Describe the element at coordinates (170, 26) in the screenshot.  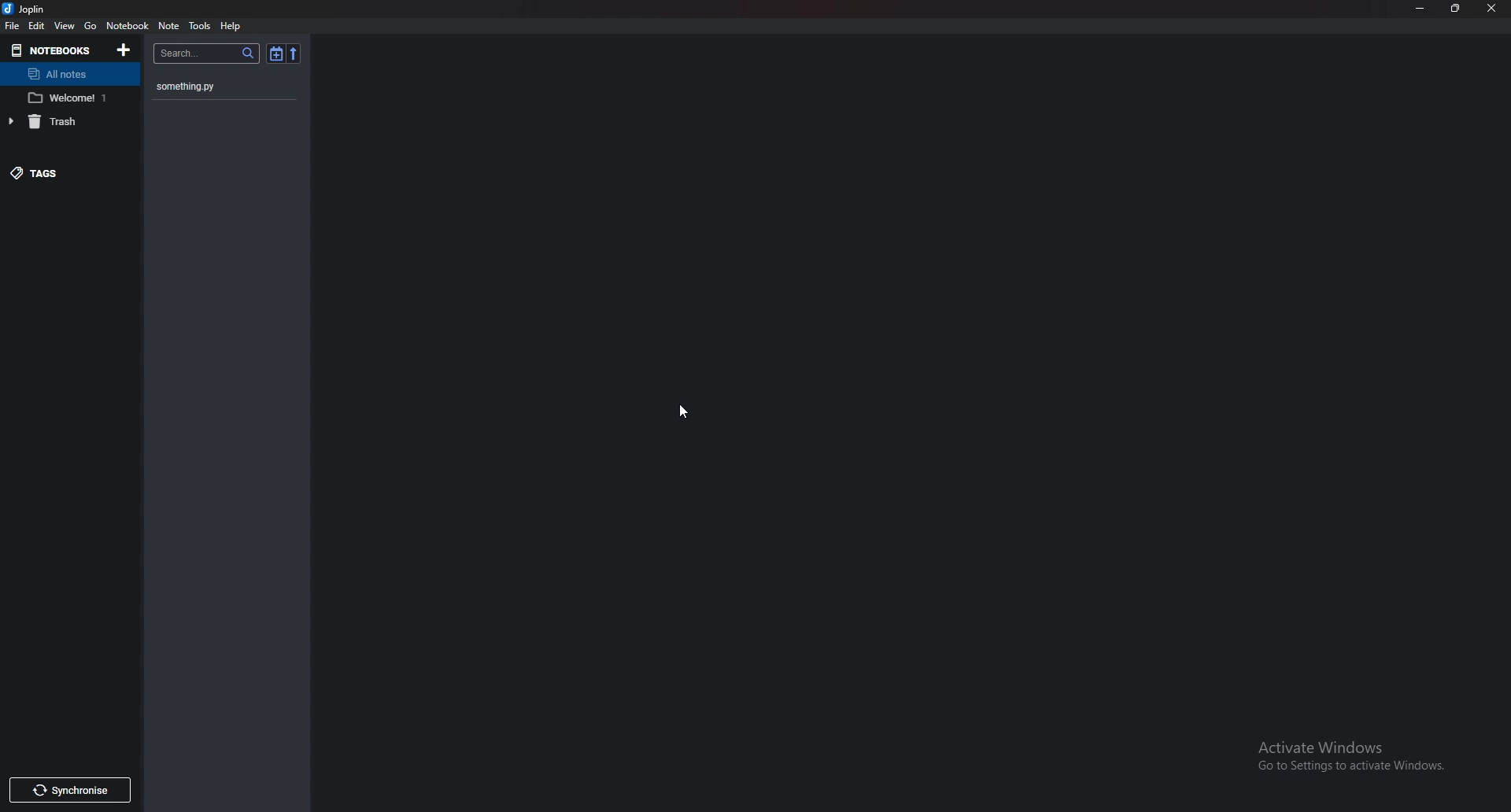
I see `note` at that location.